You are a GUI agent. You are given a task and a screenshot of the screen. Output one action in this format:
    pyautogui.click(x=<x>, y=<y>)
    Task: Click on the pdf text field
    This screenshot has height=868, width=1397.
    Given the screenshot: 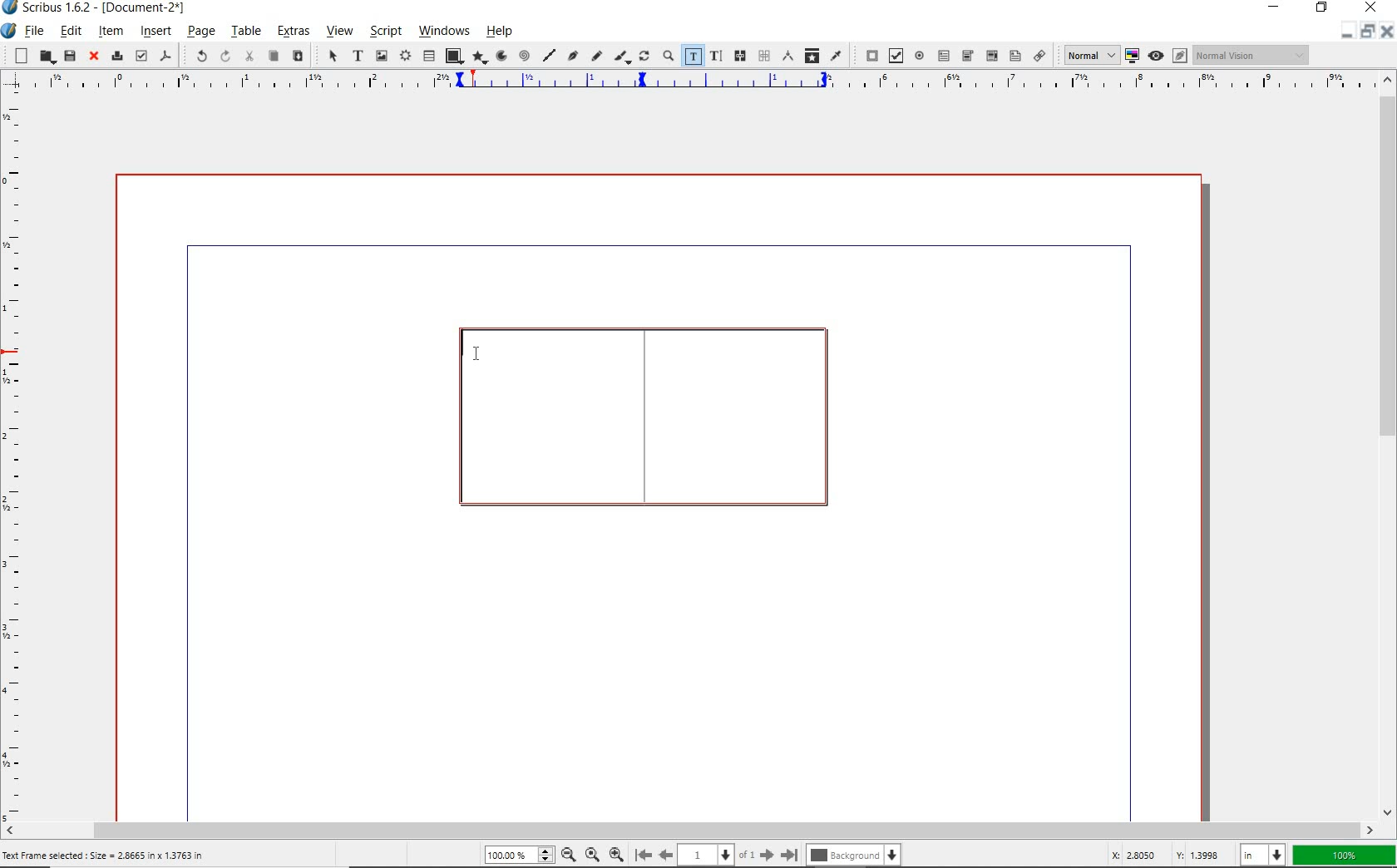 What is the action you would take?
    pyautogui.click(x=944, y=56)
    